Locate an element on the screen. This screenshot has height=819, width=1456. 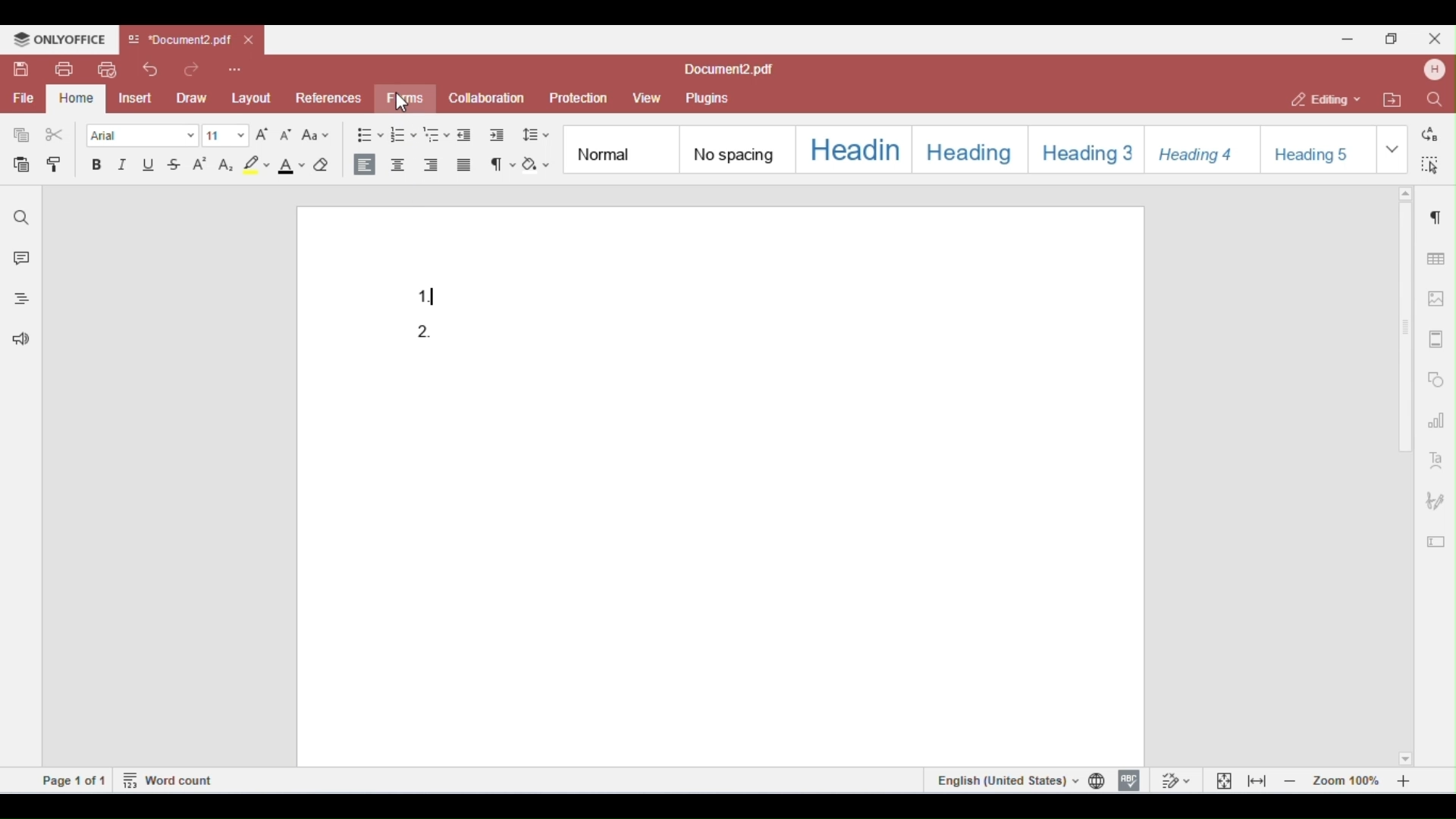
document2 is located at coordinates (729, 70).